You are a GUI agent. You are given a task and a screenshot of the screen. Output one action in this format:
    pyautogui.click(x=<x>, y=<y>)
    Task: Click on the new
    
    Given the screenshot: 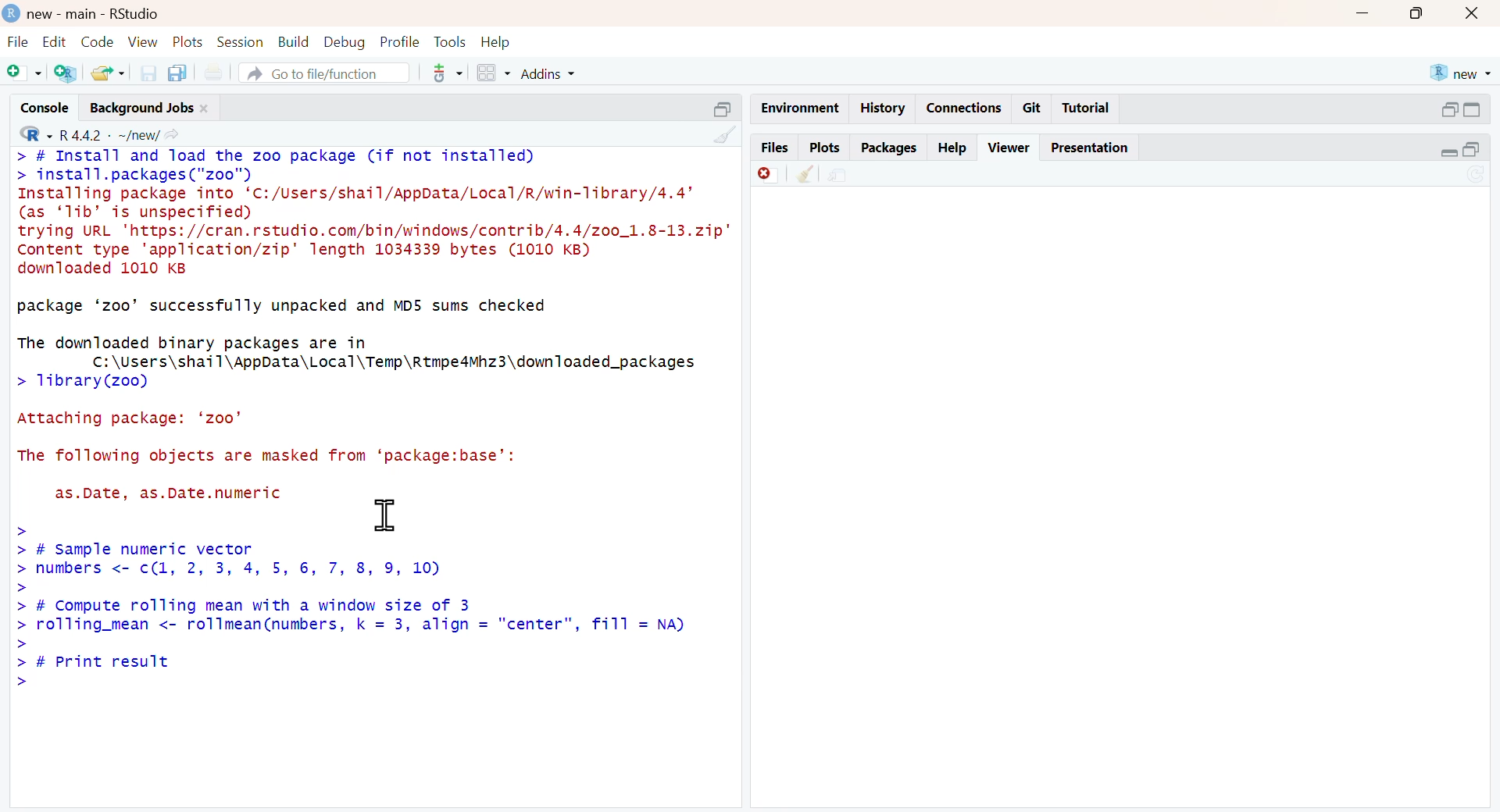 What is the action you would take?
    pyautogui.click(x=1460, y=74)
    